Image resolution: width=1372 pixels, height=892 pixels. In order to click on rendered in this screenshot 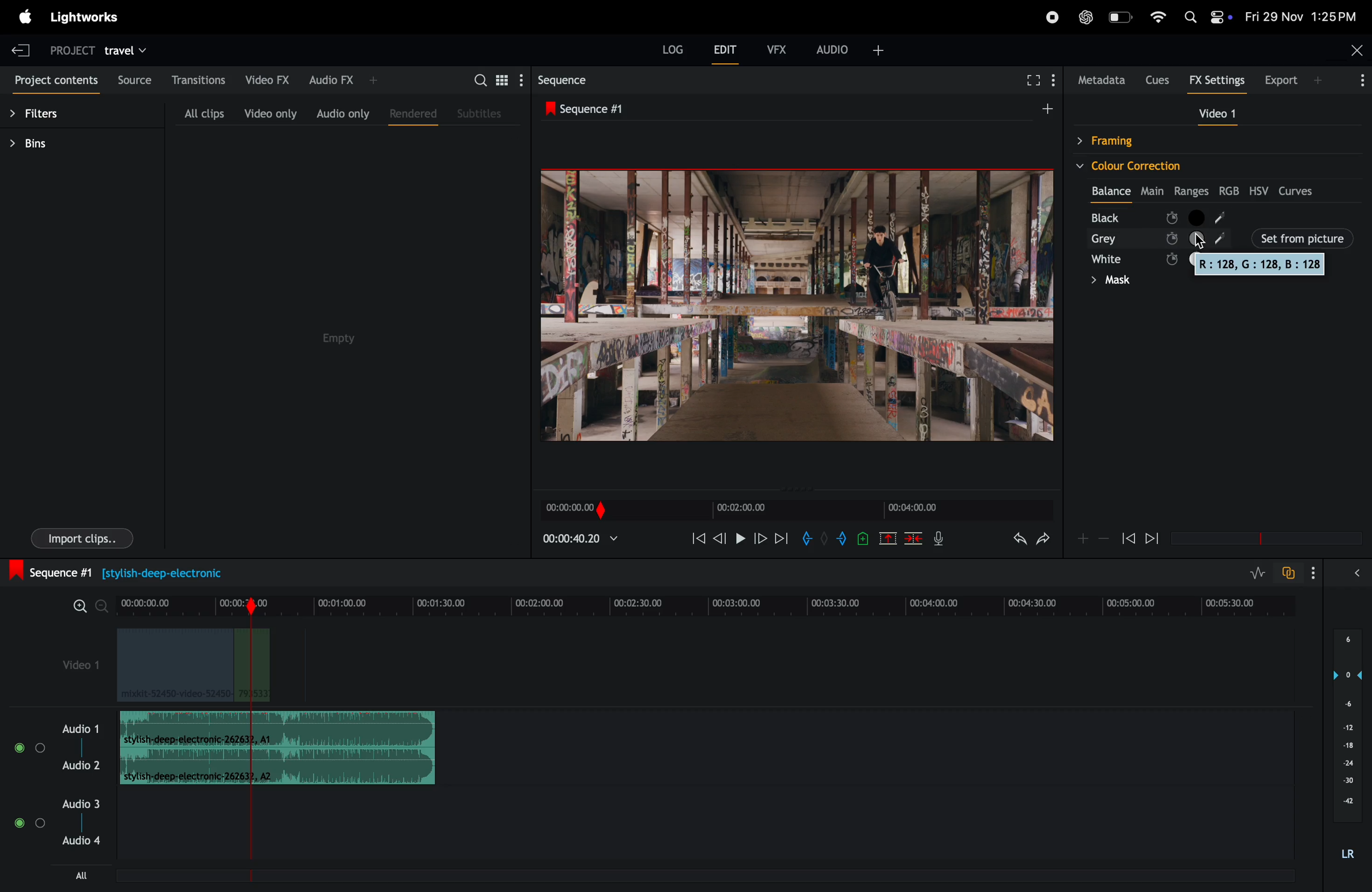, I will do `click(413, 115)`.